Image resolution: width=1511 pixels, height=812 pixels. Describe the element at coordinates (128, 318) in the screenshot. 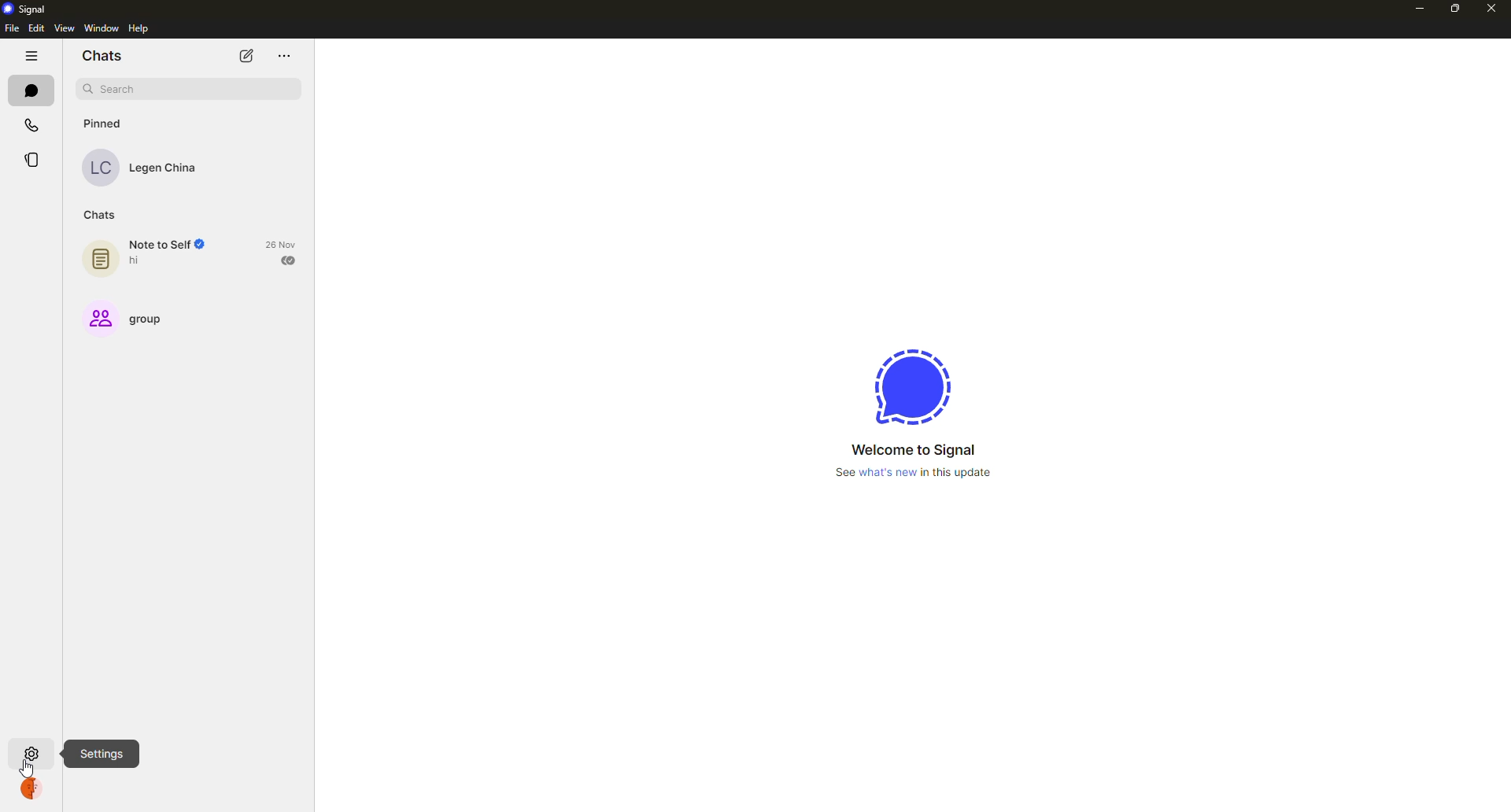

I see `group` at that location.